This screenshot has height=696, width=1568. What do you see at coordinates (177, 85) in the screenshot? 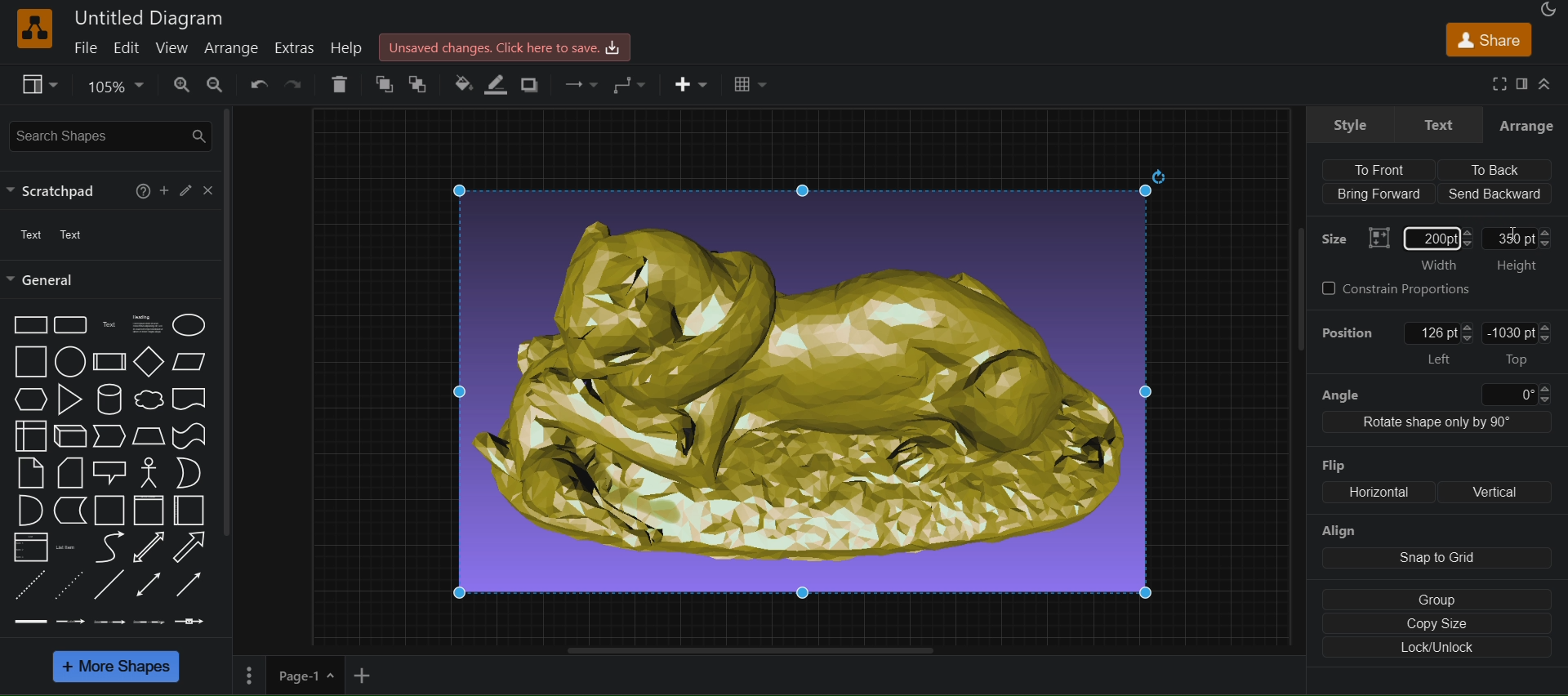
I see `zoom in` at bounding box center [177, 85].